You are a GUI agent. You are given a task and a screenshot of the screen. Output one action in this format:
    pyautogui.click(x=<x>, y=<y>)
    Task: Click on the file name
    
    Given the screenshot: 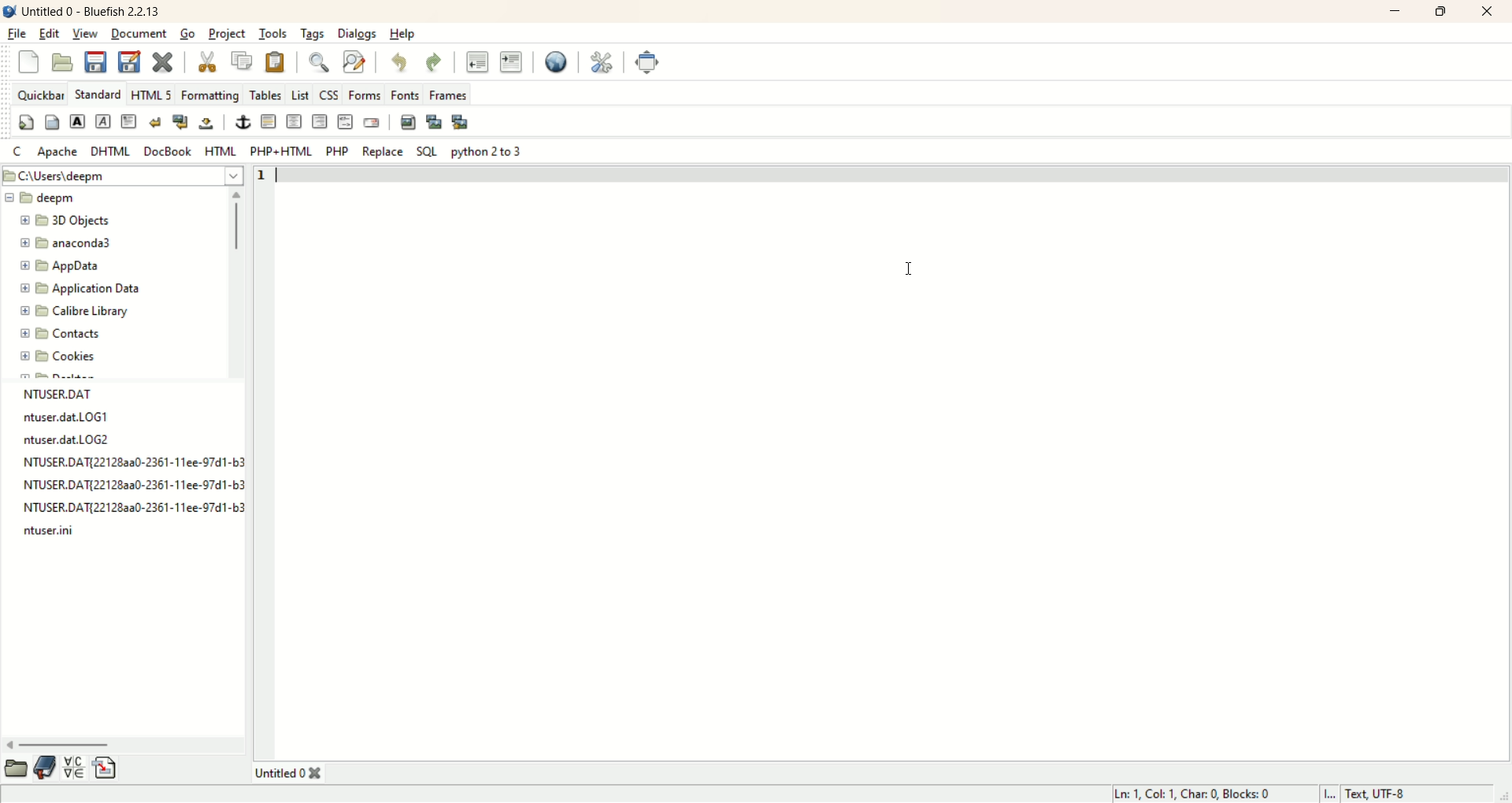 What is the action you would take?
    pyautogui.click(x=71, y=418)
    